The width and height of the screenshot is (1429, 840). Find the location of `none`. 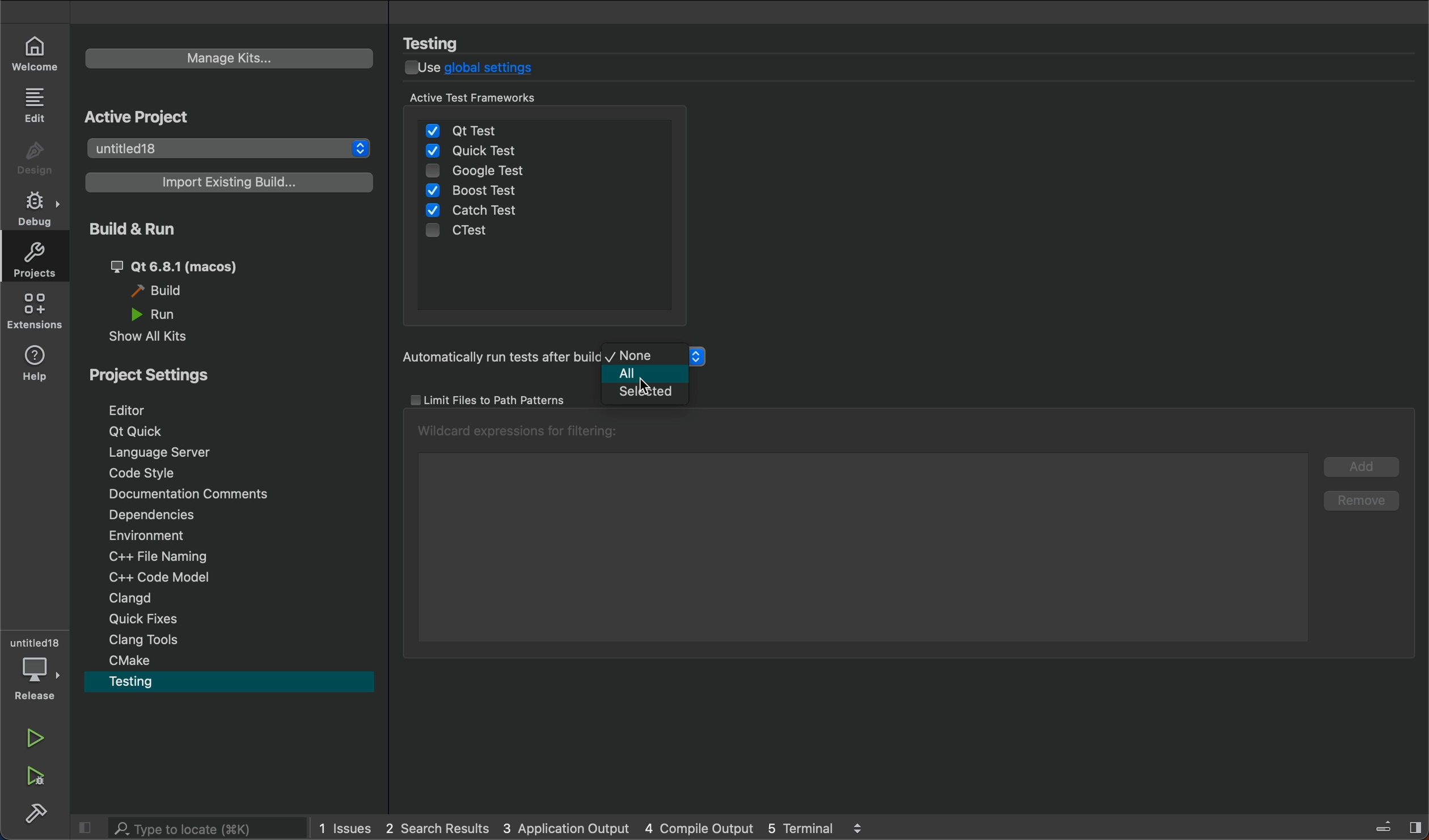

none is located at coordinates (641, 354).